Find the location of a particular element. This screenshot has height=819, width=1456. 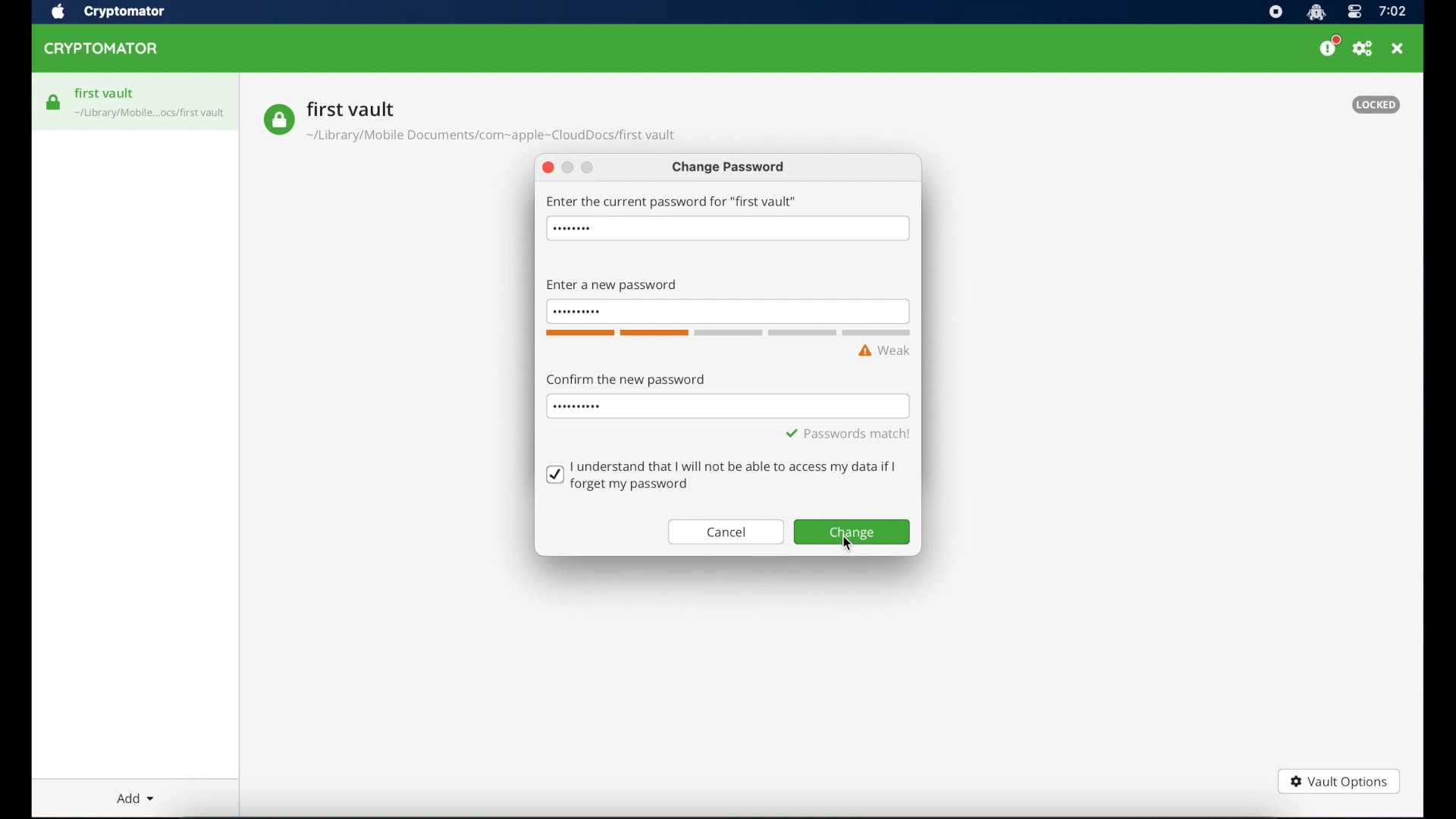

word count is located at coordinates (727, 334).